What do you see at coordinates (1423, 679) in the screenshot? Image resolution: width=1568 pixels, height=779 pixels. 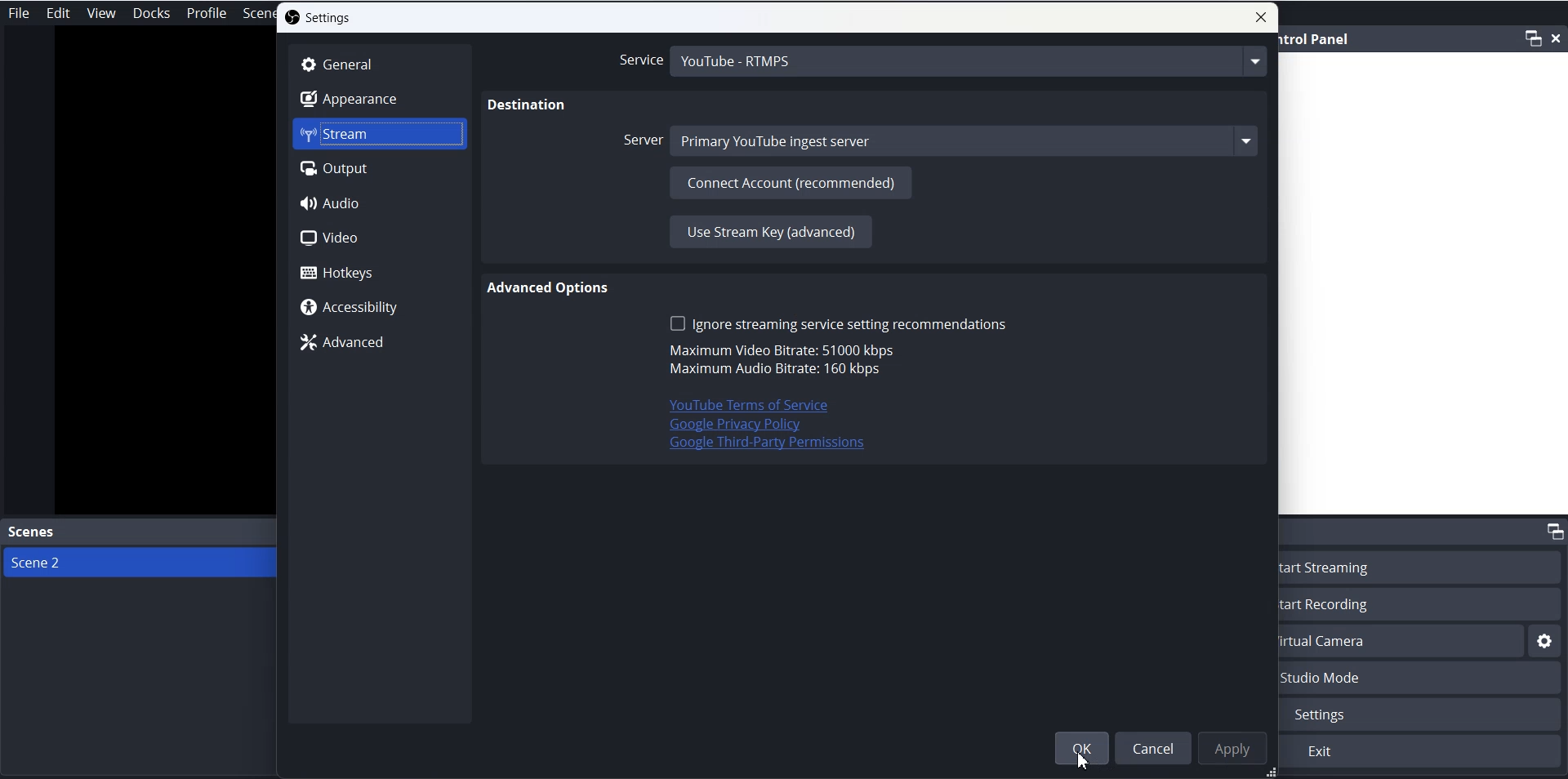 I see `Studio Mode` at bounding box center [1423, 679].